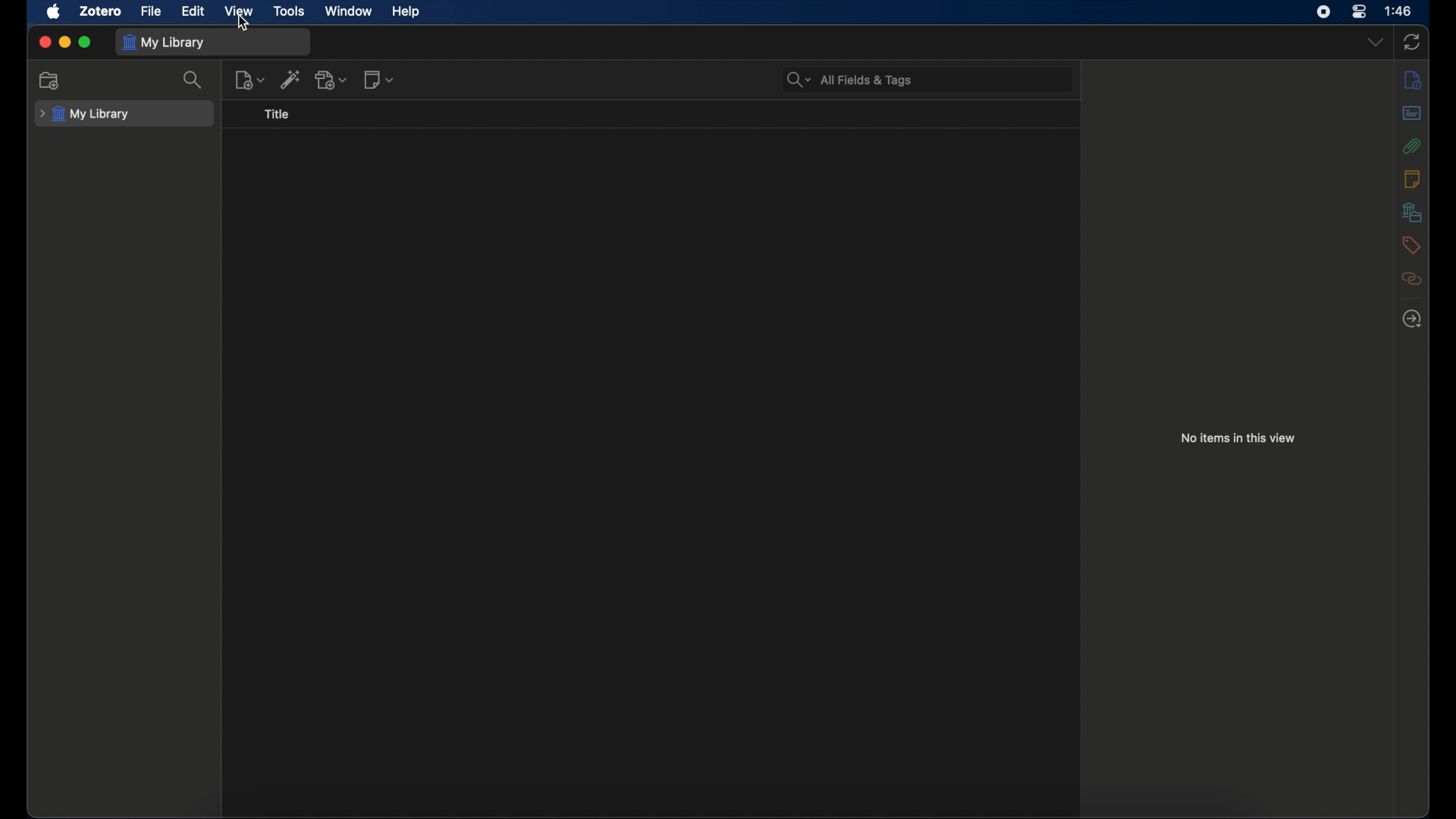 The width and height of the screenshot is (1456, 819). I want to click on help, so click(405, 11).